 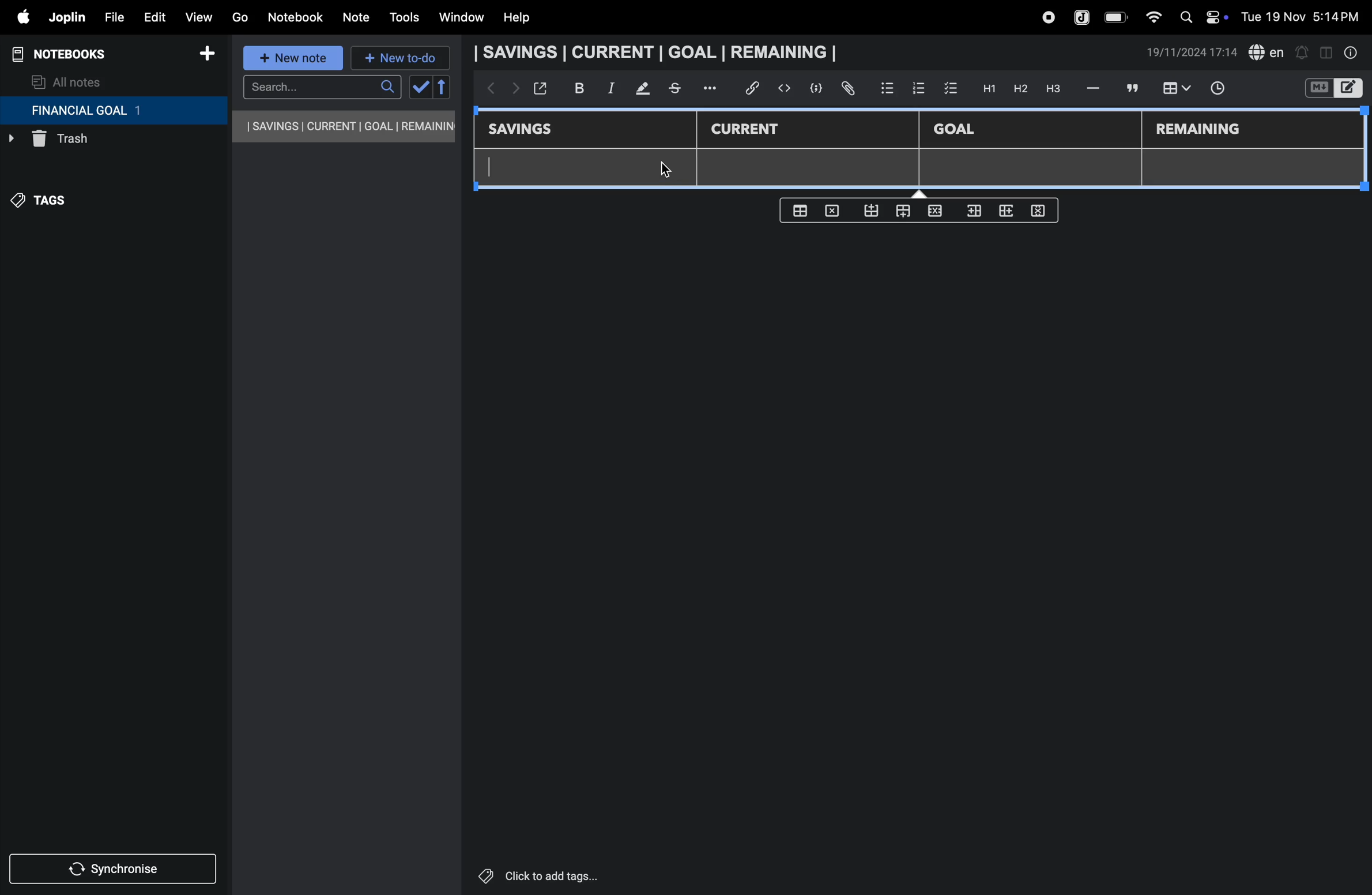 I want to click on stketchbook, so click(x=676, y=90).